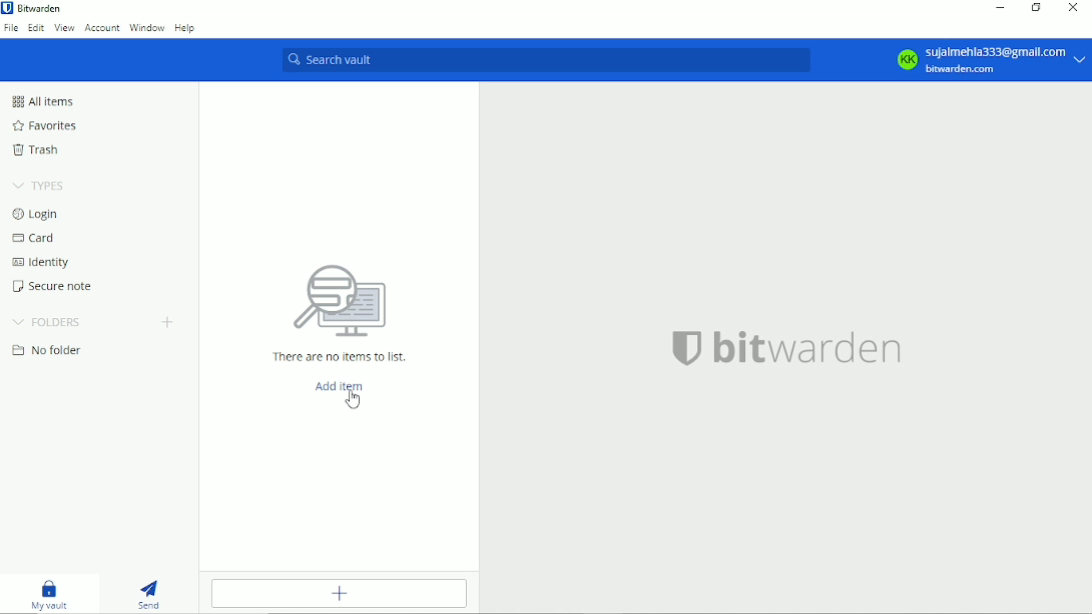 The height and width of the screenshot is (614, 1092). What do you see at coordinates (41, 101) in the screenshot?
I see `All items` at bounding box center [41, 101].